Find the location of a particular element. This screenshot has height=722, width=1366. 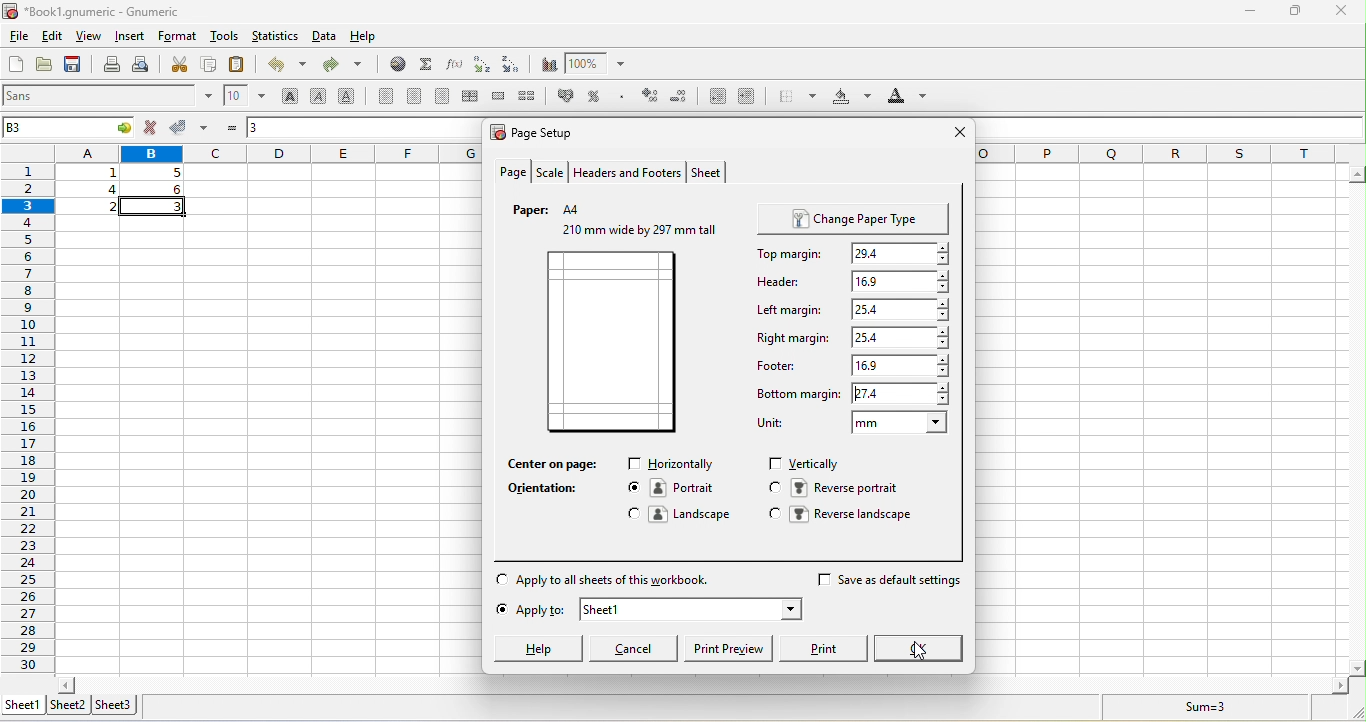

background is located at coordinates (850, 98).